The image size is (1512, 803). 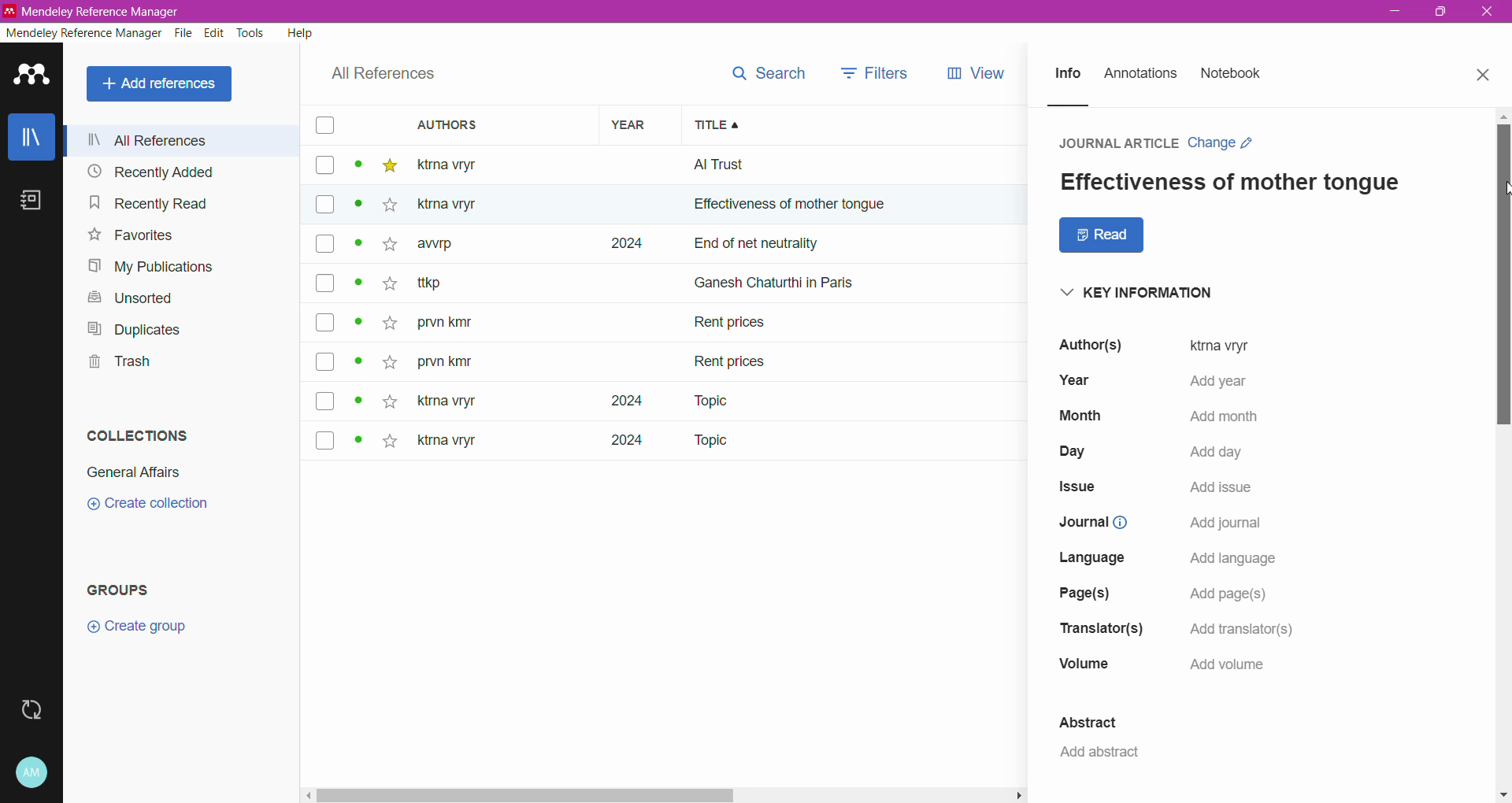 What do you see at coordinates (357, 168) in the screenshot?
I see `dot ` at bounding box center [357, 168].